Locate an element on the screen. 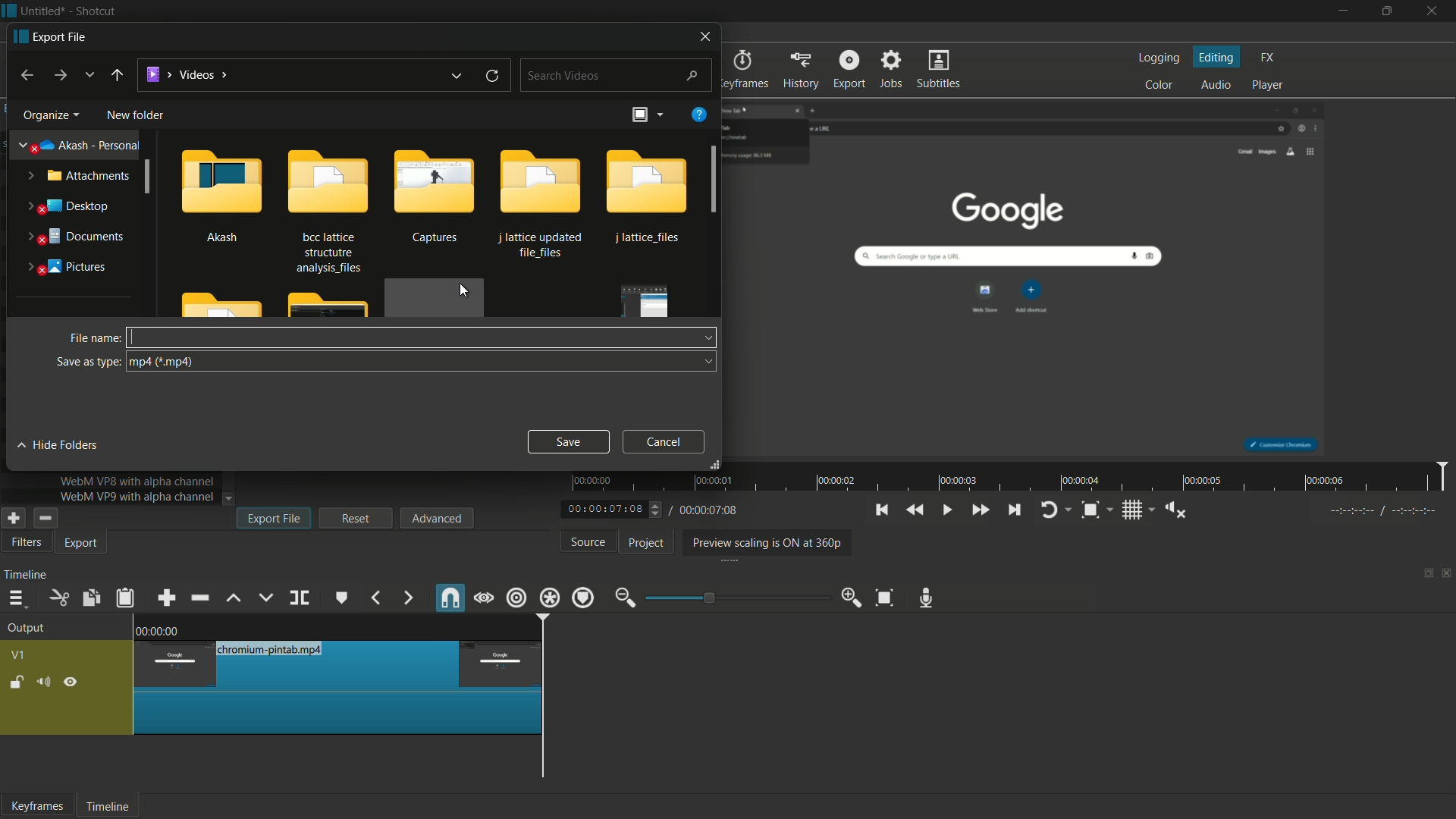 Image resolution: width=1456 pixels, height=819 pixels. export file is located at coordinates (49, 36).